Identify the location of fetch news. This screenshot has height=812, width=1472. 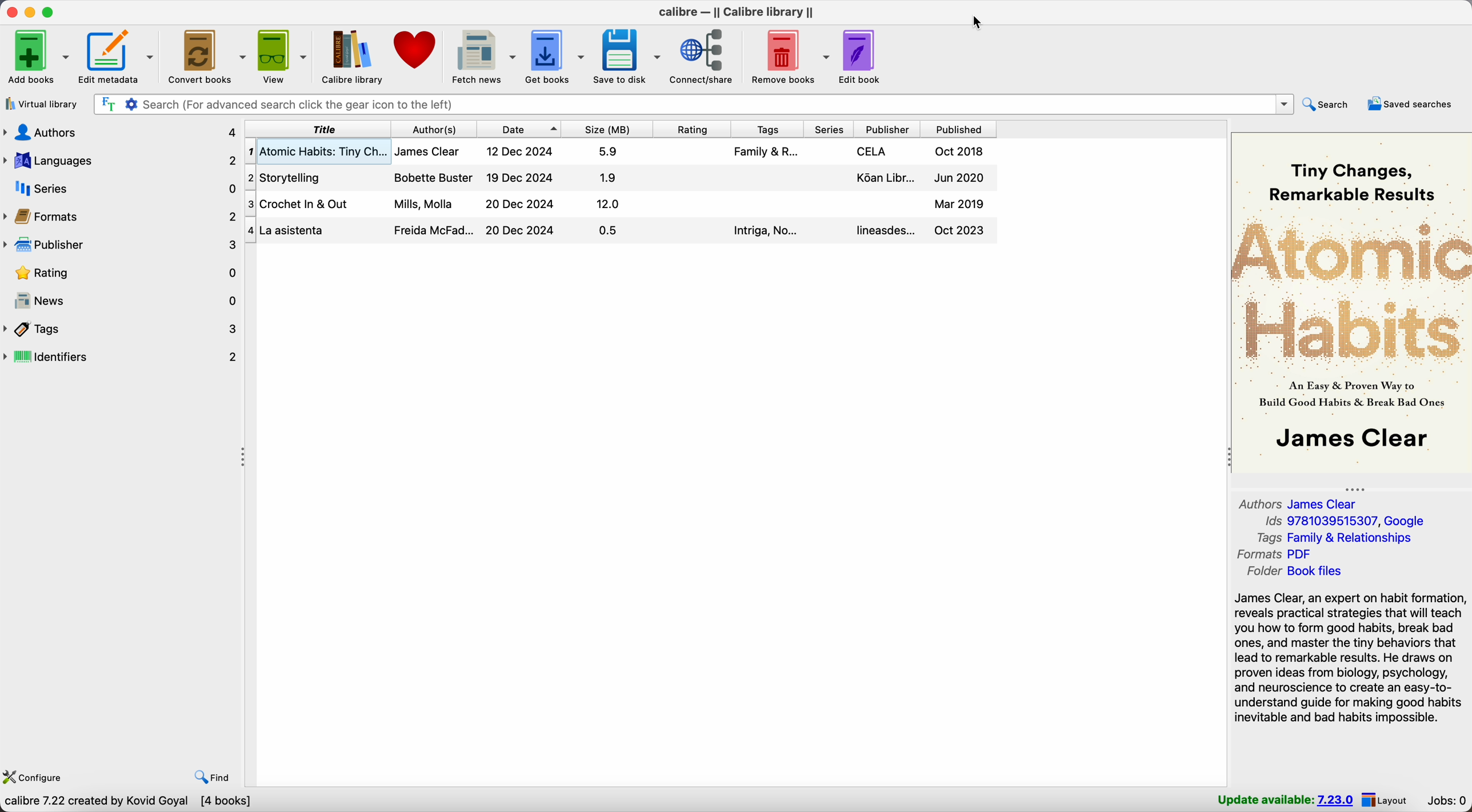
(483, 56).